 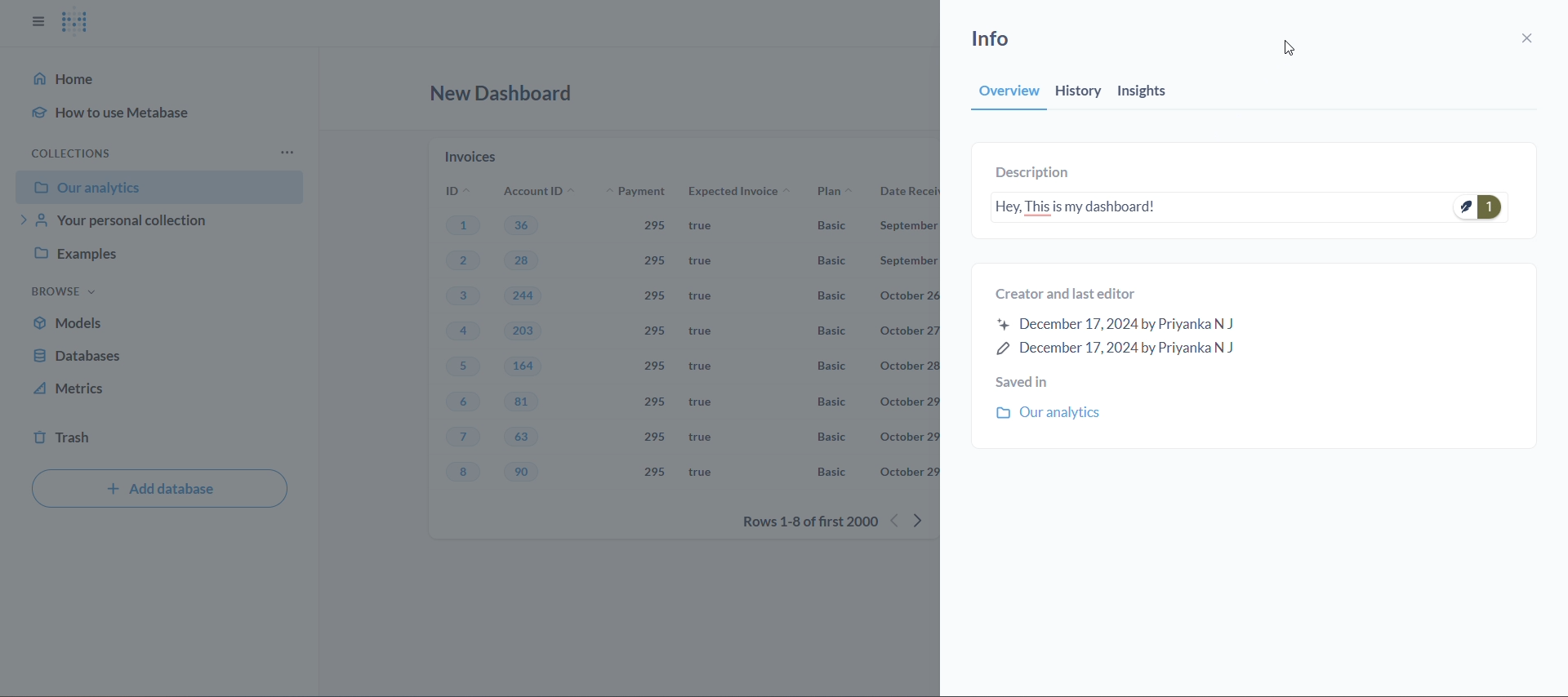 What do you see at coordinates (160, 489) in the screenshot?
I see `add database` at bounding box center [160, 489].